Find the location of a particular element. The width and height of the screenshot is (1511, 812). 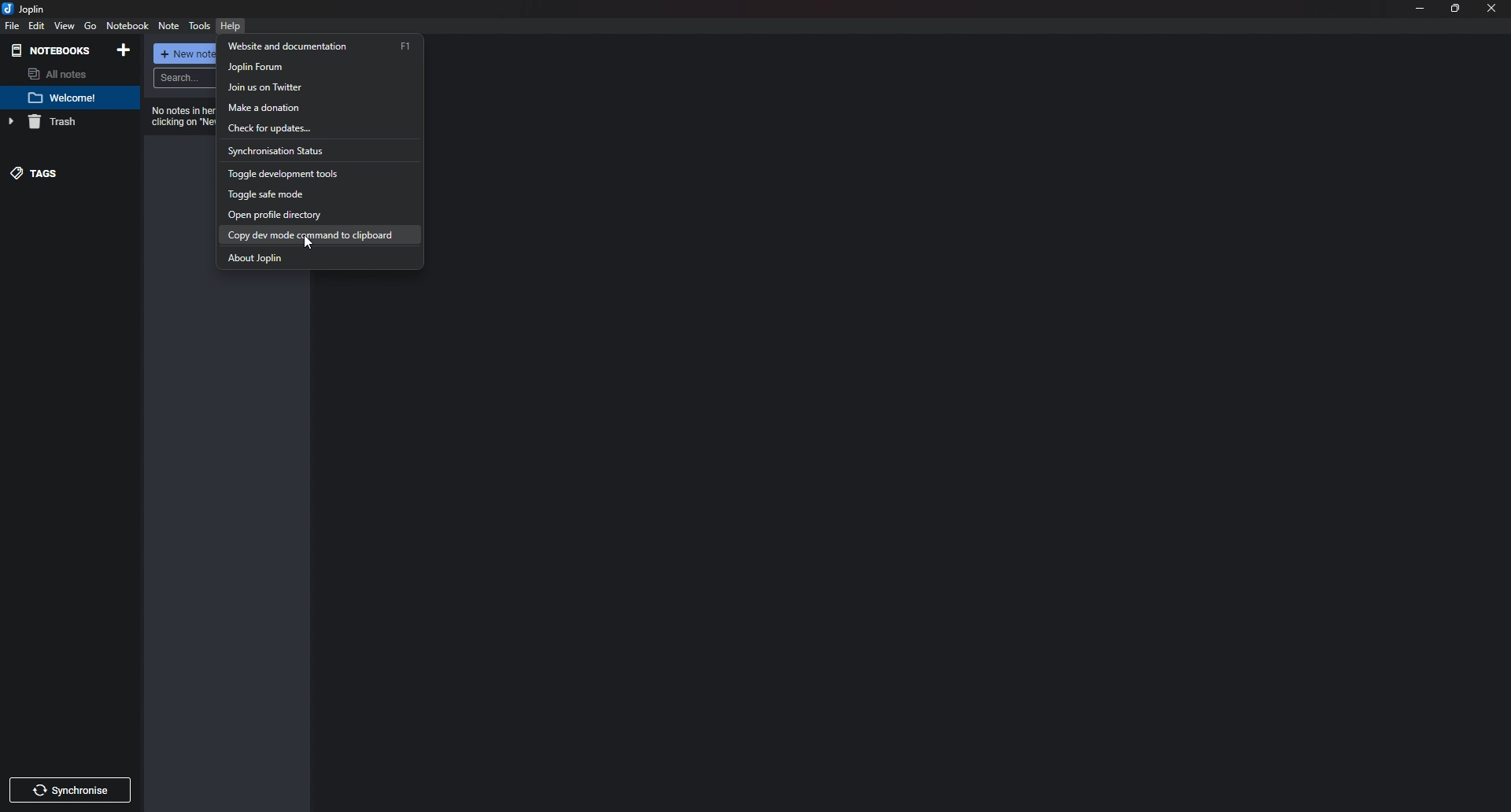

about Joplin is located at coordinates (319, 258).